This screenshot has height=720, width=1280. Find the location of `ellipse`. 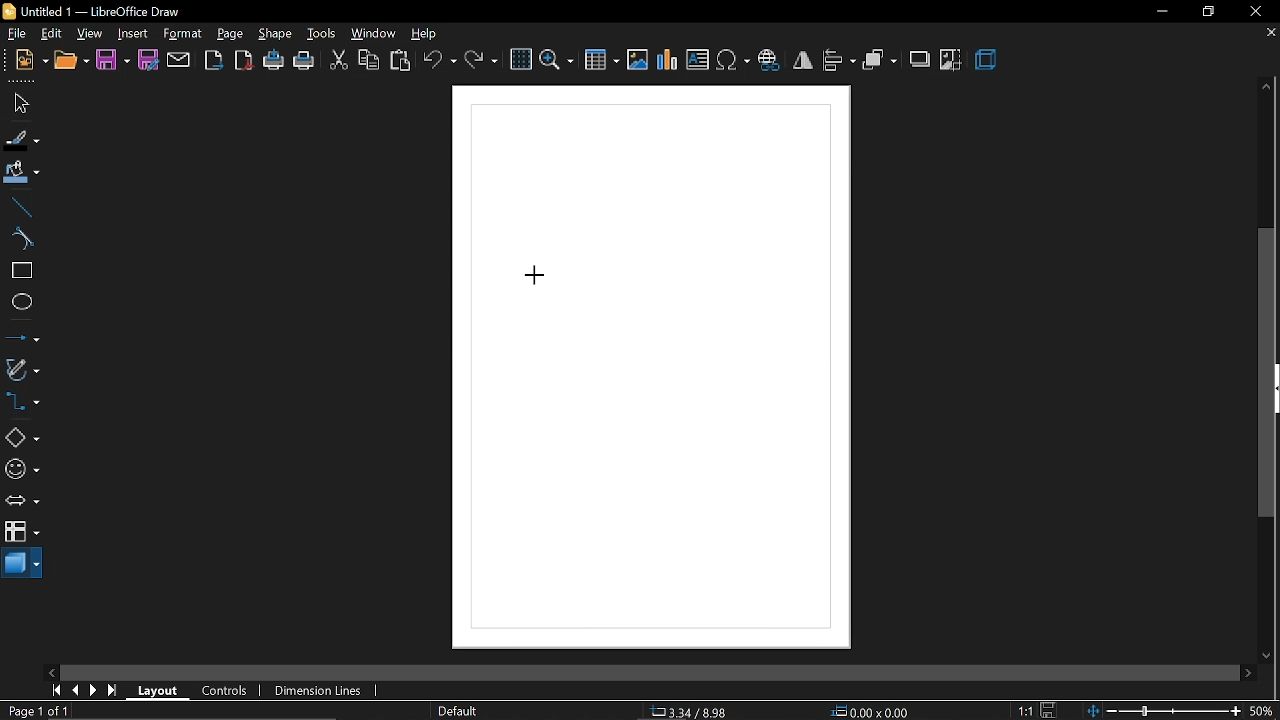

ellipse is located at coordinates (23, 304).